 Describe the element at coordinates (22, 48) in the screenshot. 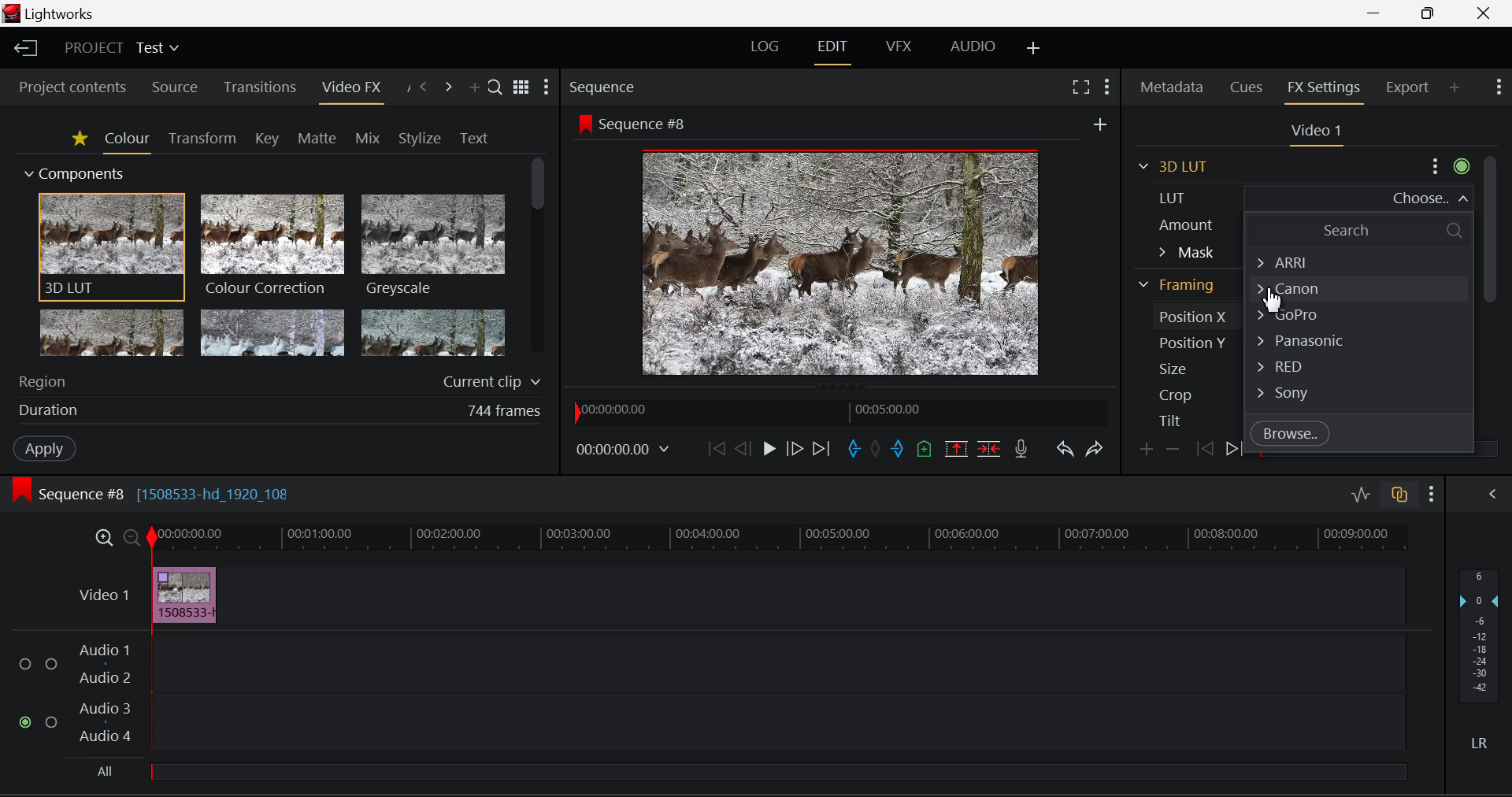

I see `Back to Homepage` at that location.